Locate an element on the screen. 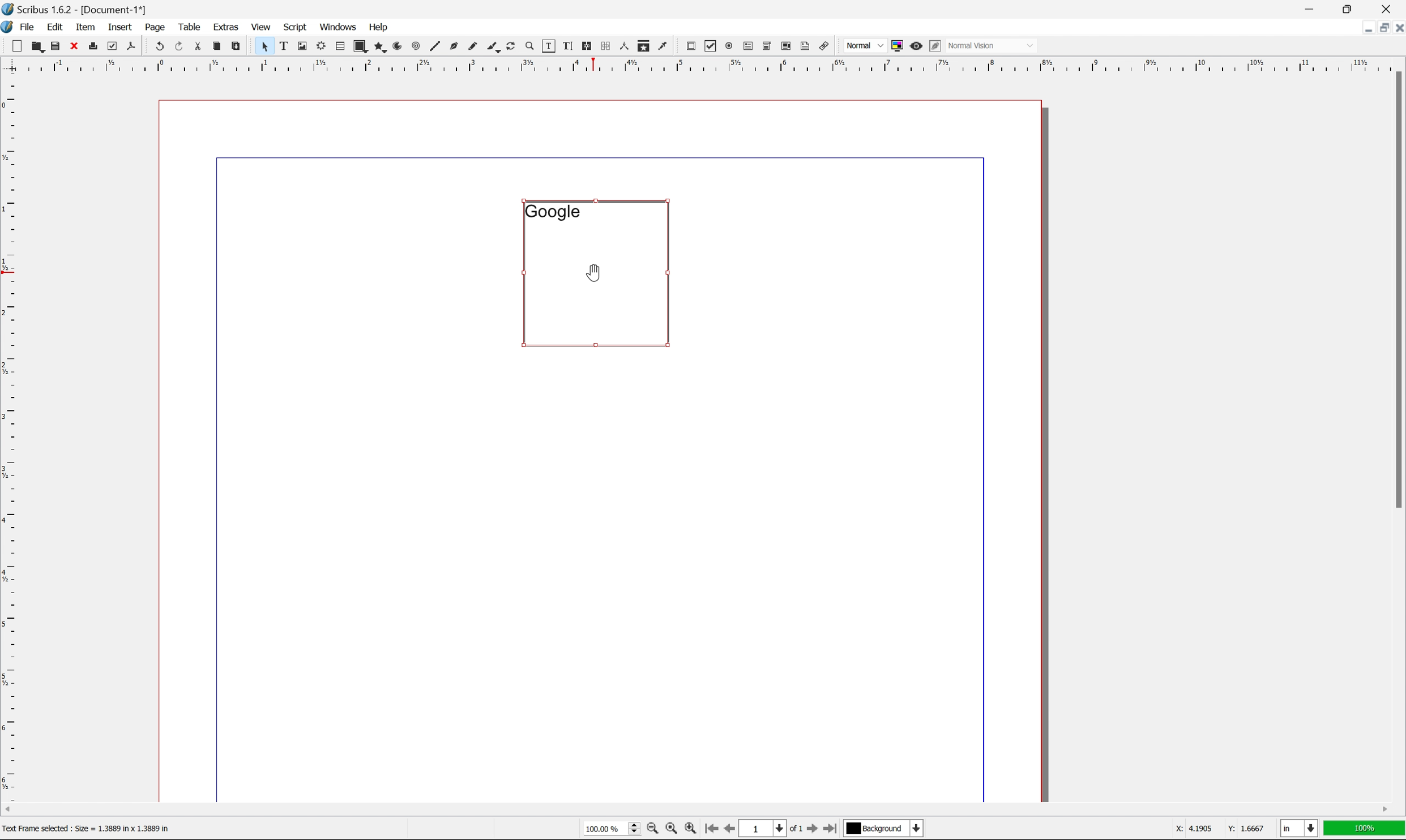  pdf checkbox is located at coordinates (708, 47).